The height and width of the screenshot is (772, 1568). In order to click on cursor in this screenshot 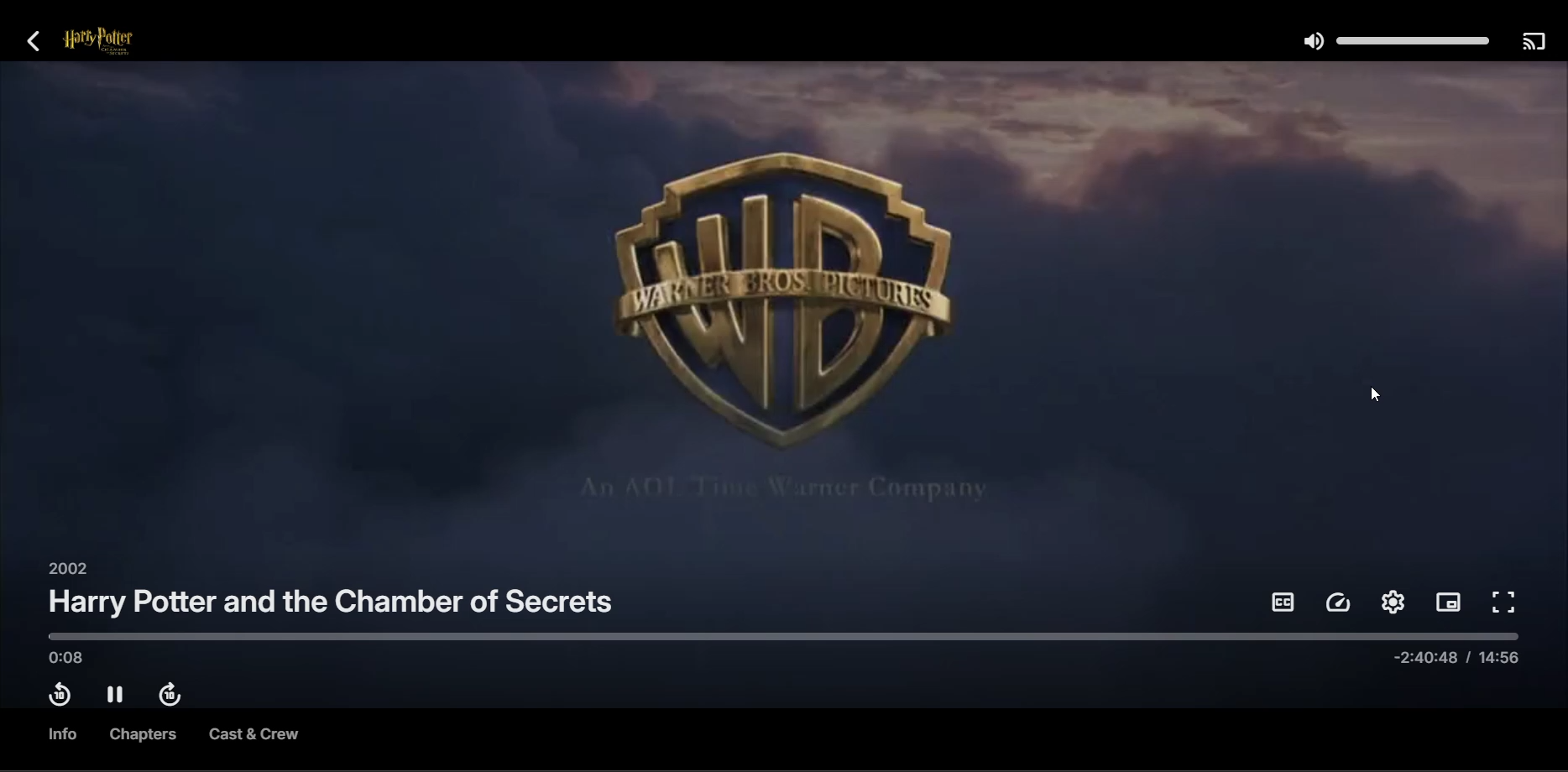, I will do `click(1376, 396)`.